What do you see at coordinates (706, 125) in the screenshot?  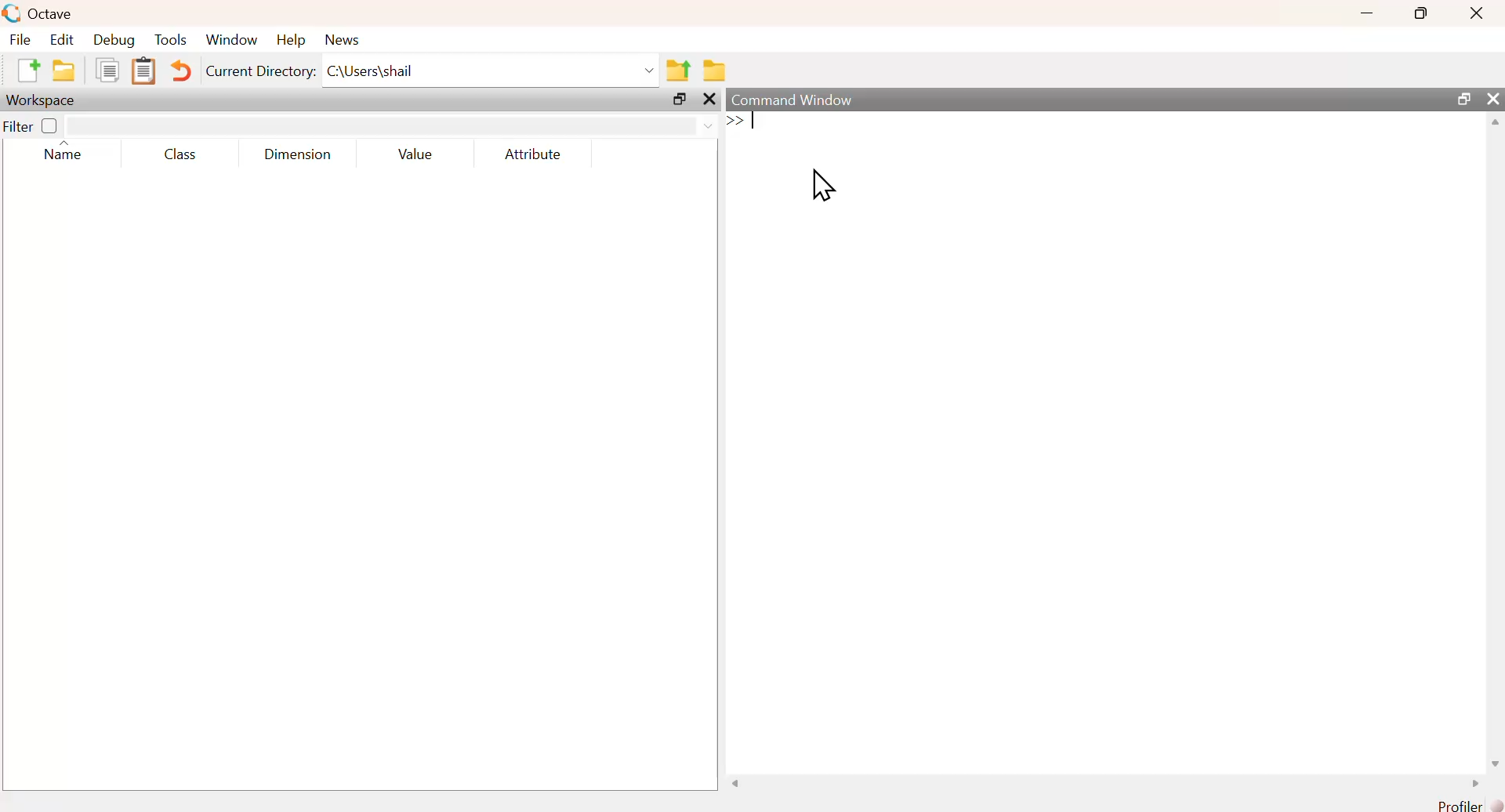 I see `dropdown` at bounding box center [706, 125].